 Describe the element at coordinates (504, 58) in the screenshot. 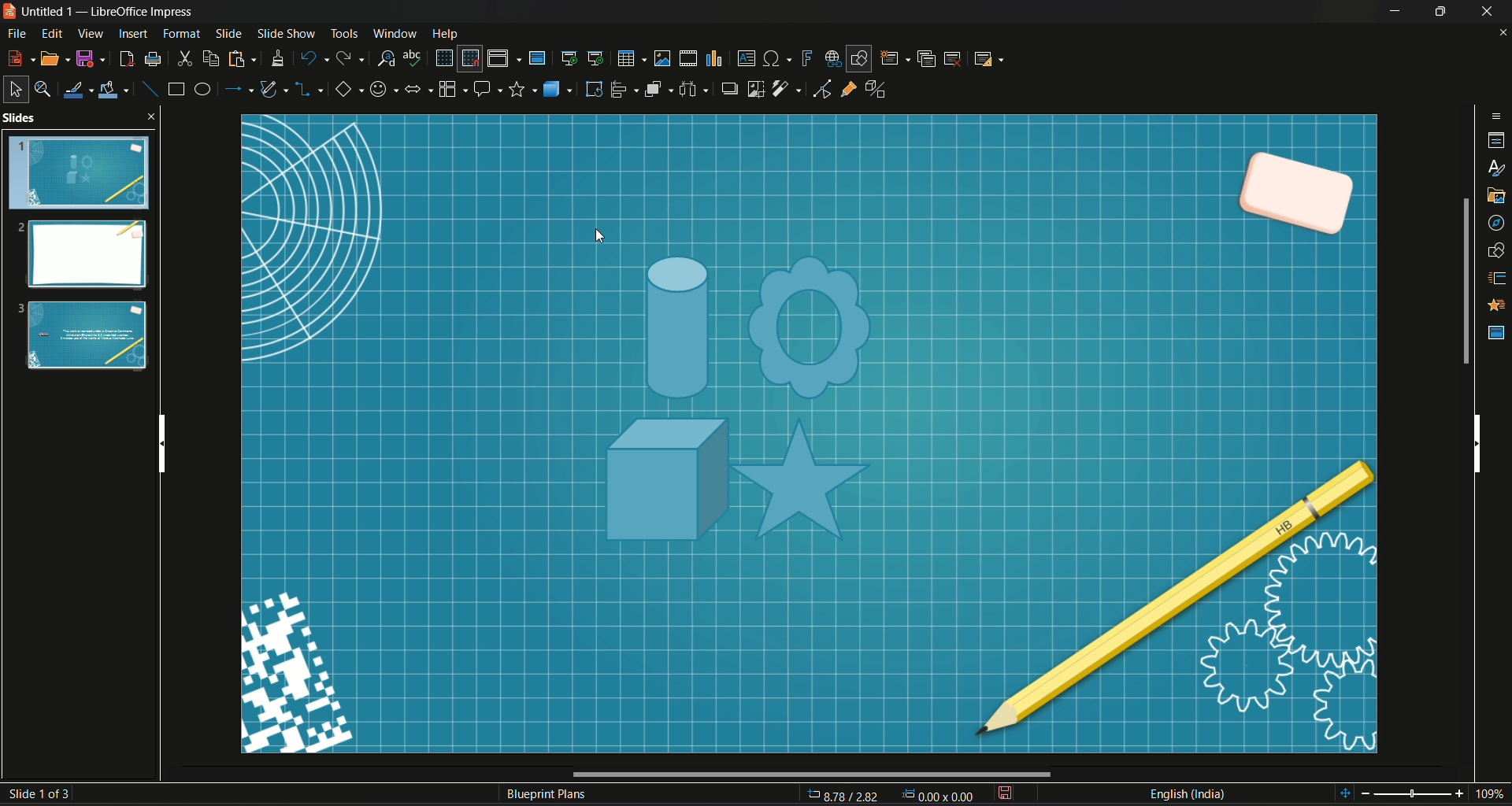

I see `display views` at that location.